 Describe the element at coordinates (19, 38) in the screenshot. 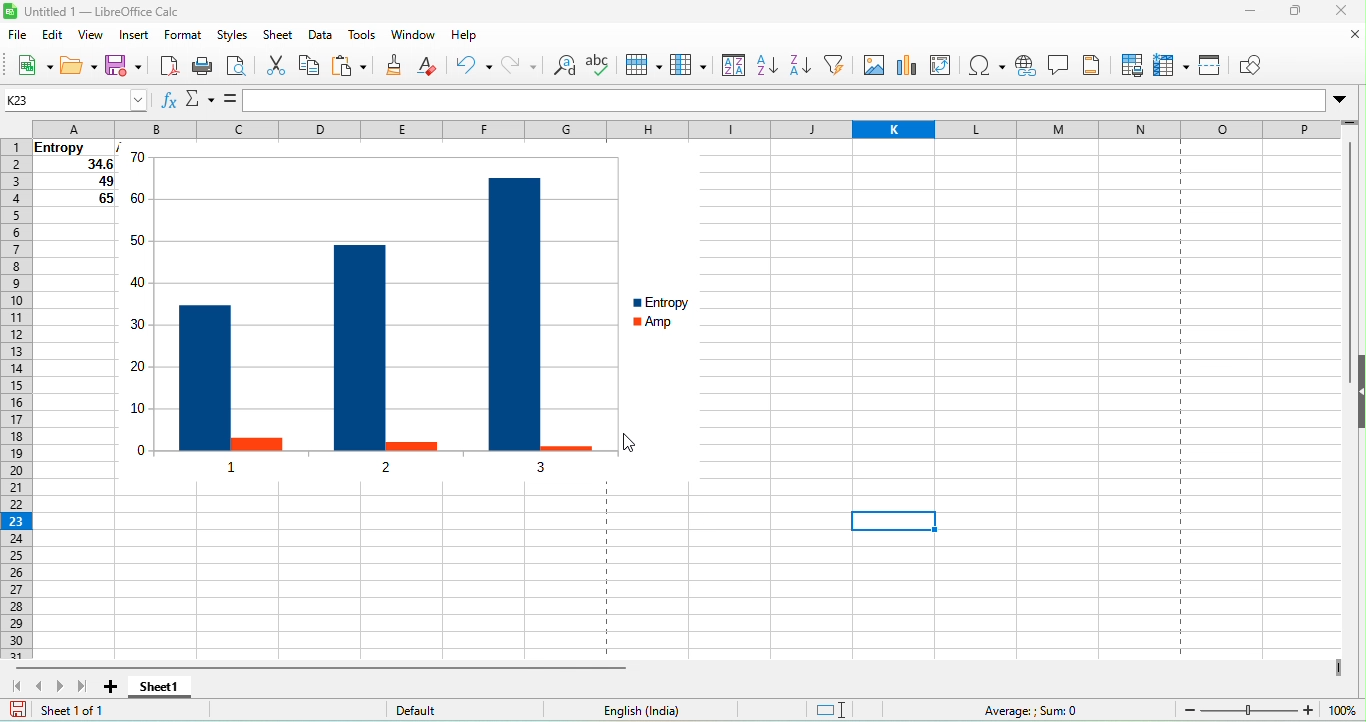

I see `file` at that location.